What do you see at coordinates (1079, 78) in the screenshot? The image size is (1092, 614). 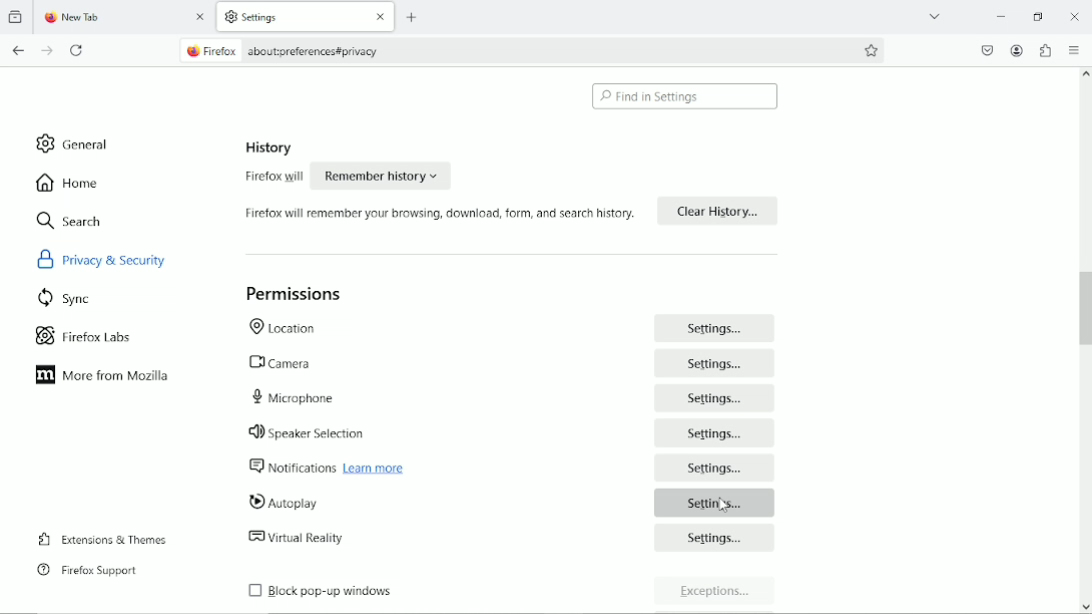 I see `scroll up` at bounding box center [1079, 78].